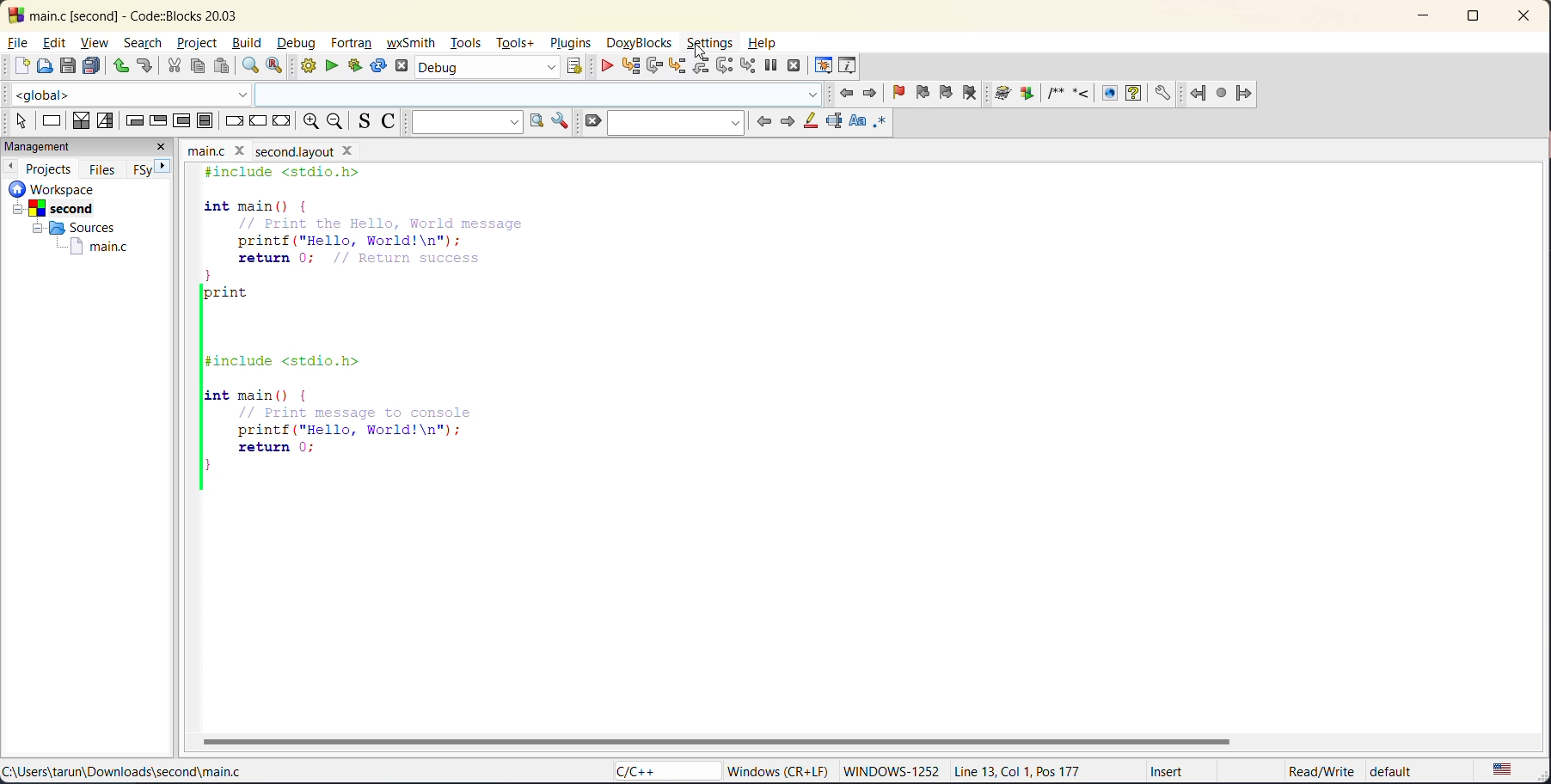 This screenshot has width=1551, height=784. I want to click on view, so click(97, 42).